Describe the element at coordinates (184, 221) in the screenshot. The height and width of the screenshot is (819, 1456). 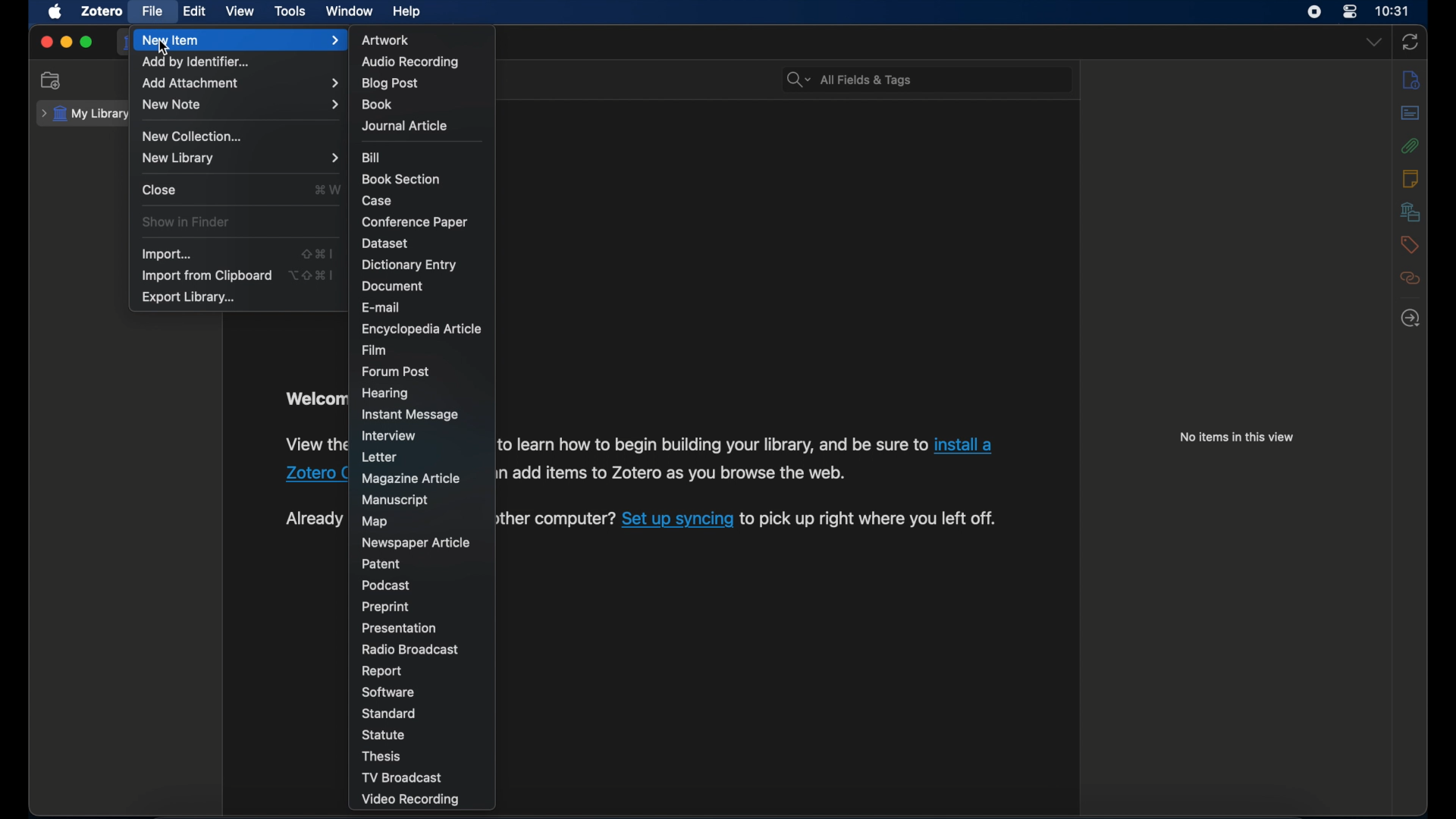
I see `show in finder` at that location.